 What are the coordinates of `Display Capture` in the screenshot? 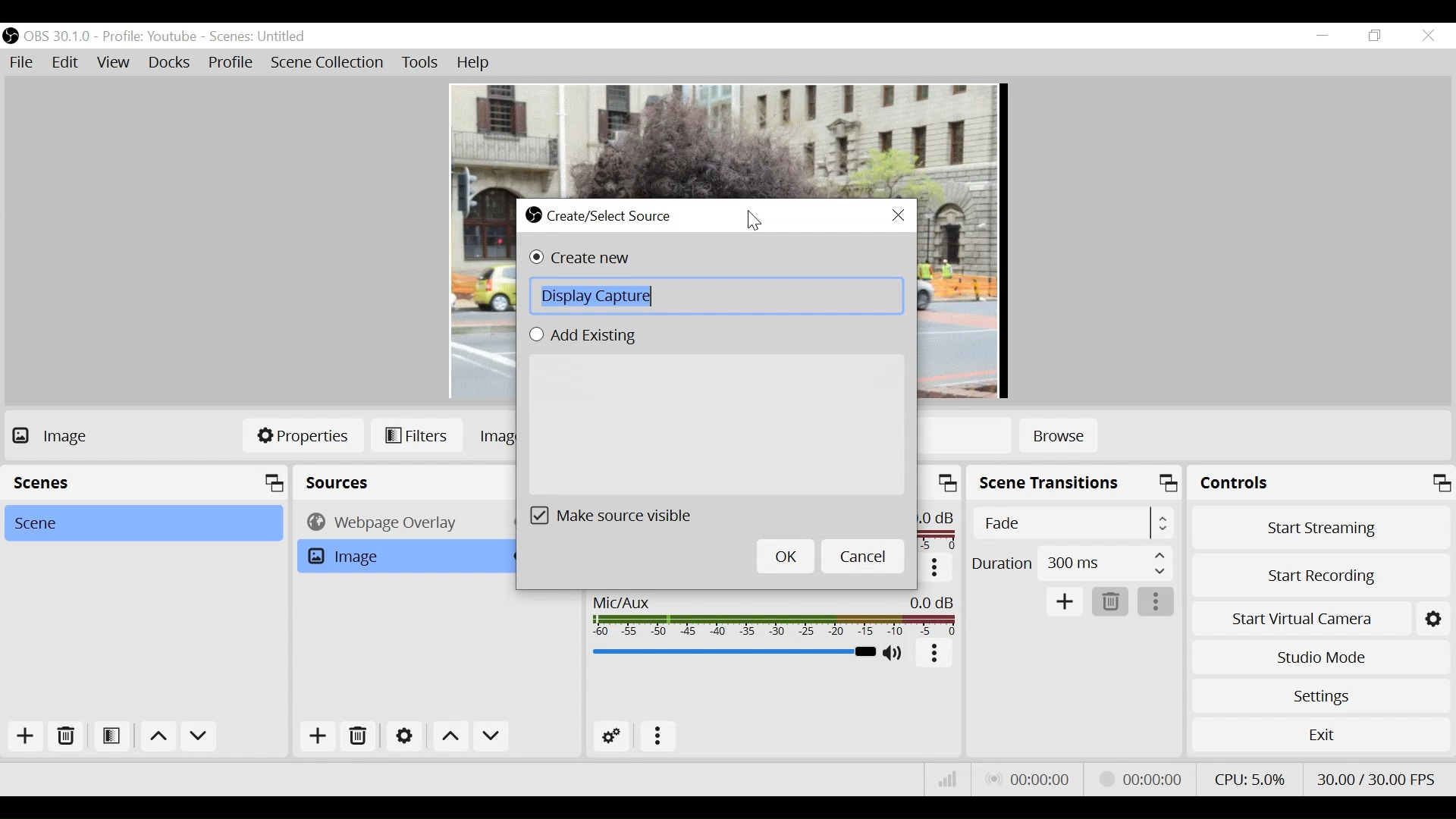 It's located at (716, 297).